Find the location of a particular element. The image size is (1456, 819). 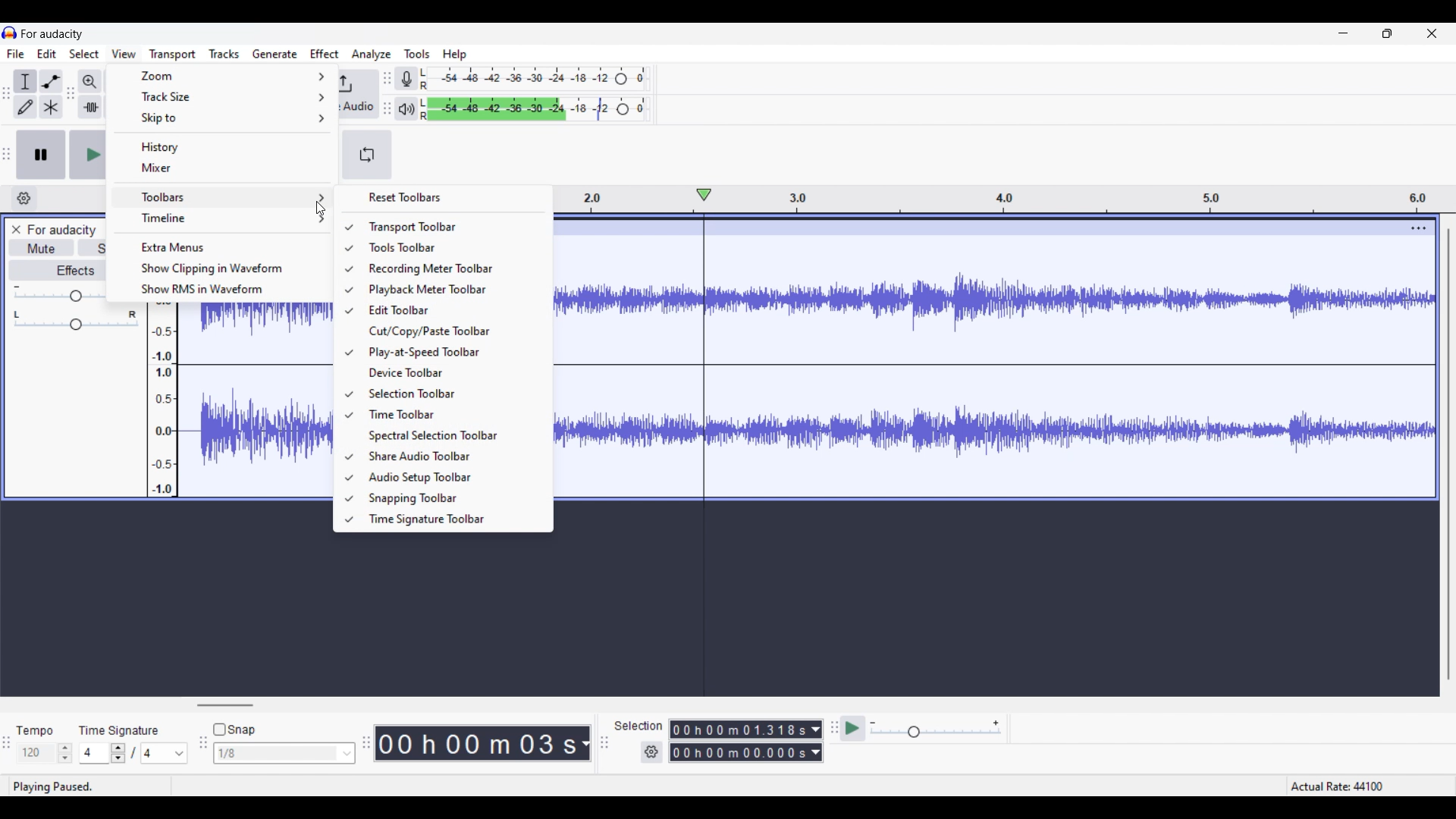

Play at speed toolbar is located at coordinates (451, 353).